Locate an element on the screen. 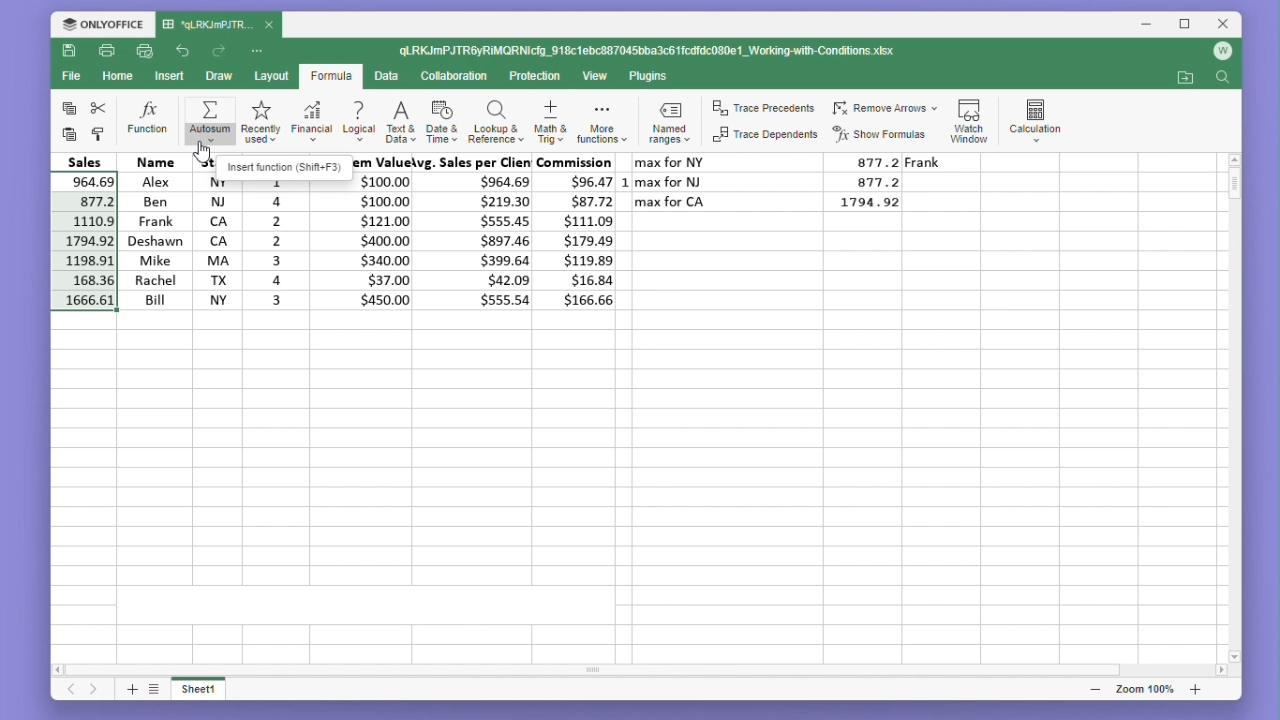 The height and width of the screenshot is (720, 1280). Save  is located at coordinates (68, 50).